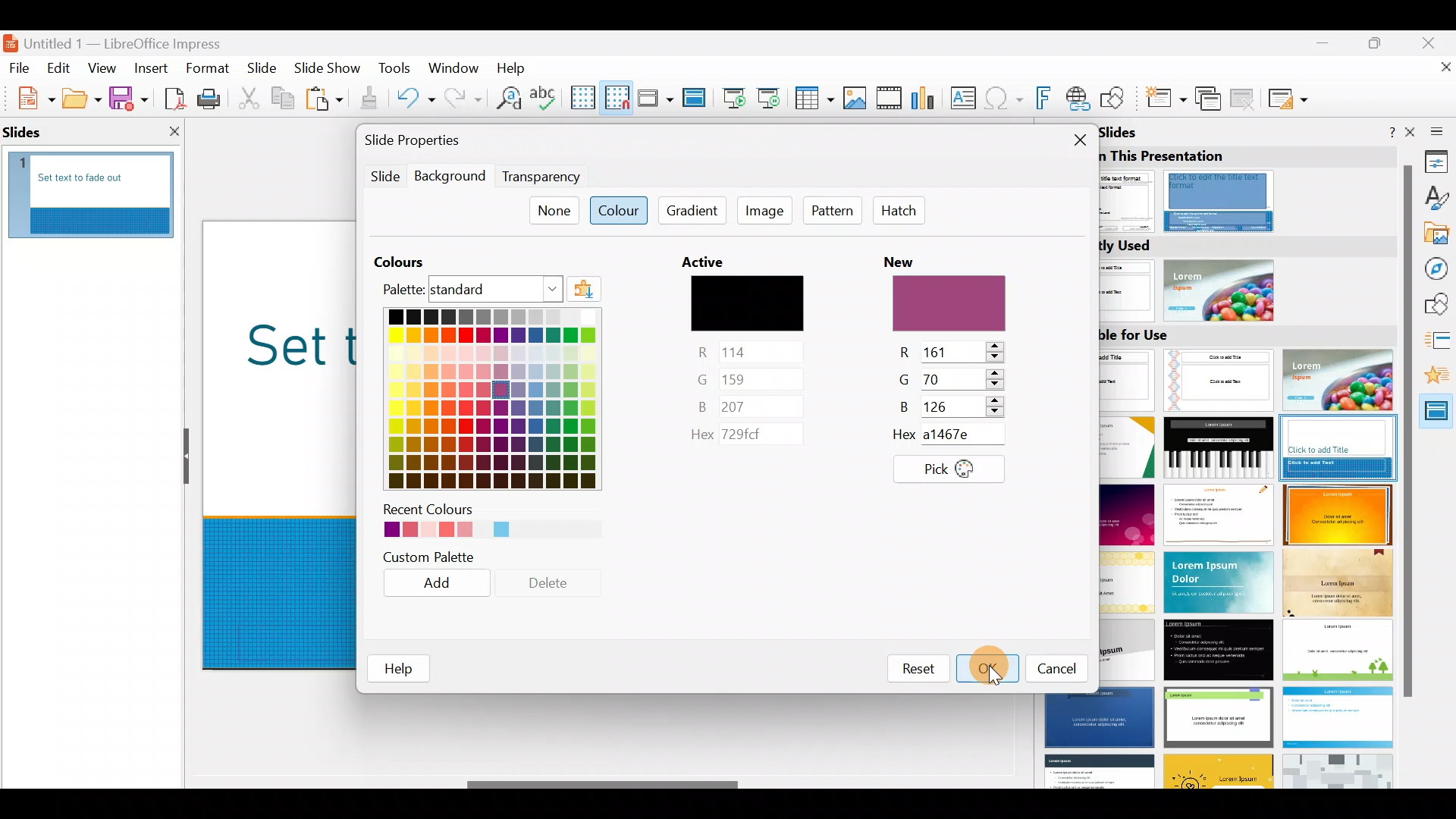 This screenshot has height=819, width=1456. I want to click on New colour code, so click(959, 435).